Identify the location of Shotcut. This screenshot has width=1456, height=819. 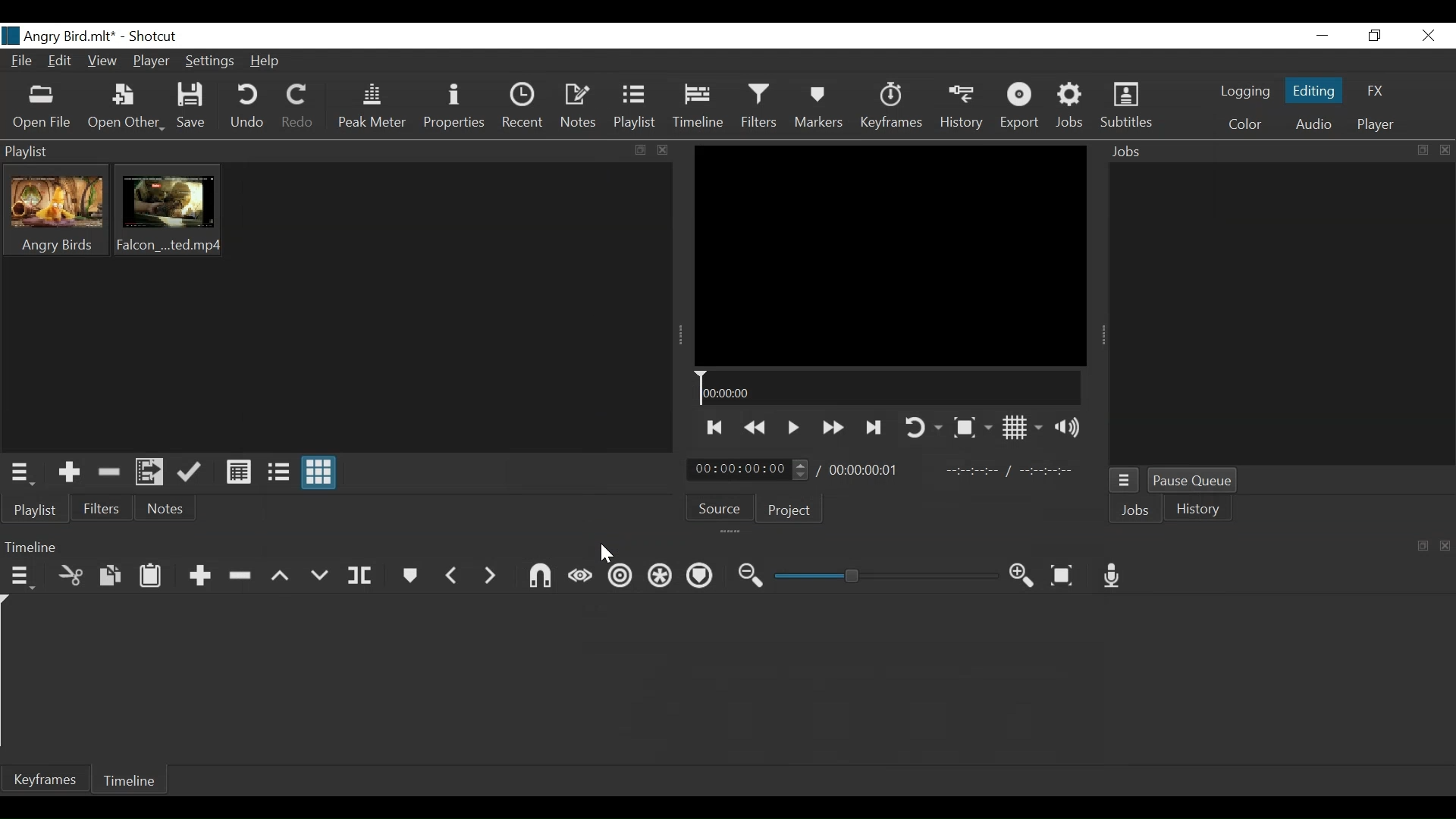
(151, 36).